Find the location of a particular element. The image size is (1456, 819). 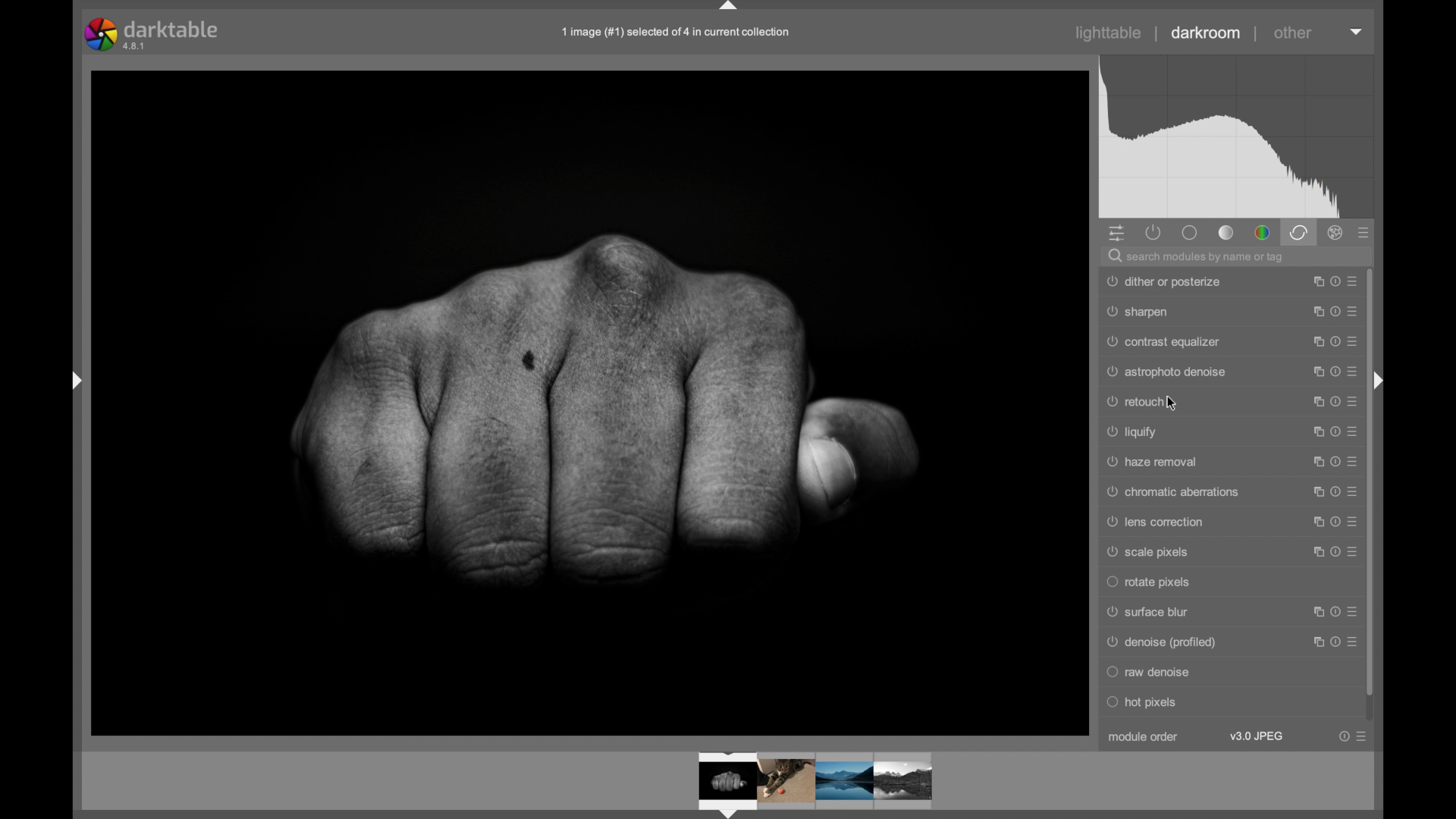

surface blur is located at coordinates (1147, 612).